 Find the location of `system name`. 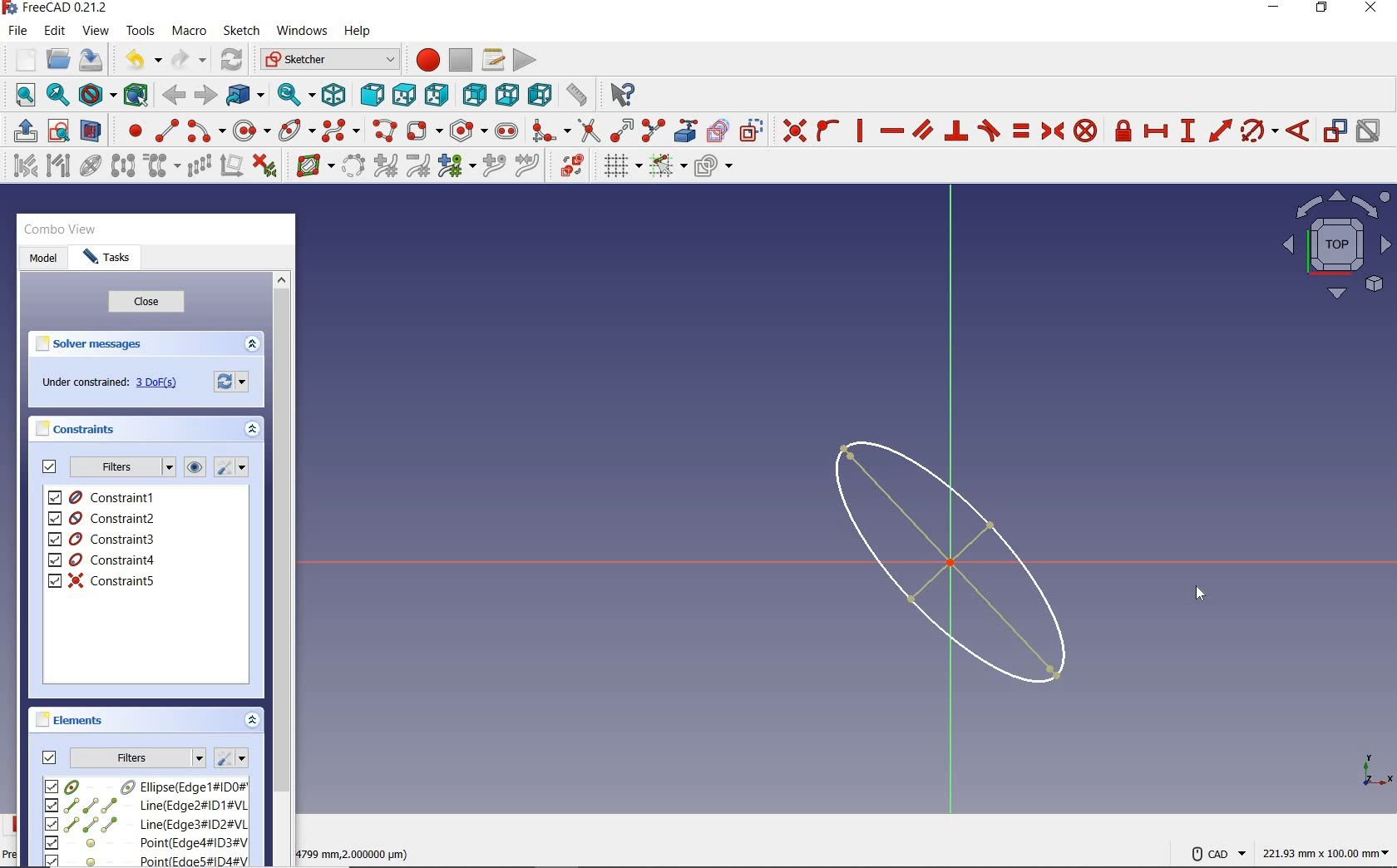

system name is located at coordinates (56, 8).